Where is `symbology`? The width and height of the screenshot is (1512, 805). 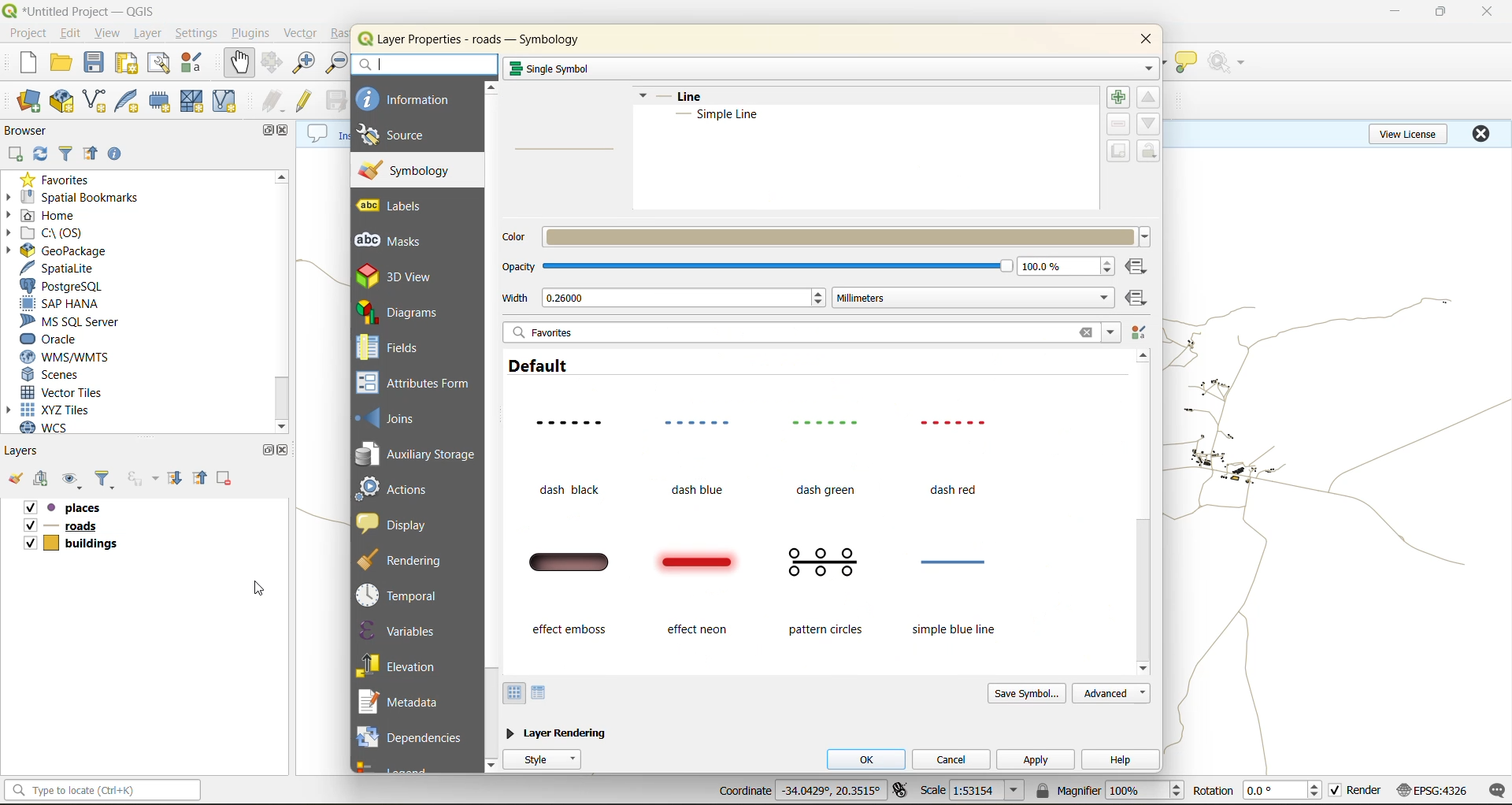 symbology is located at coordinates (411, 169).